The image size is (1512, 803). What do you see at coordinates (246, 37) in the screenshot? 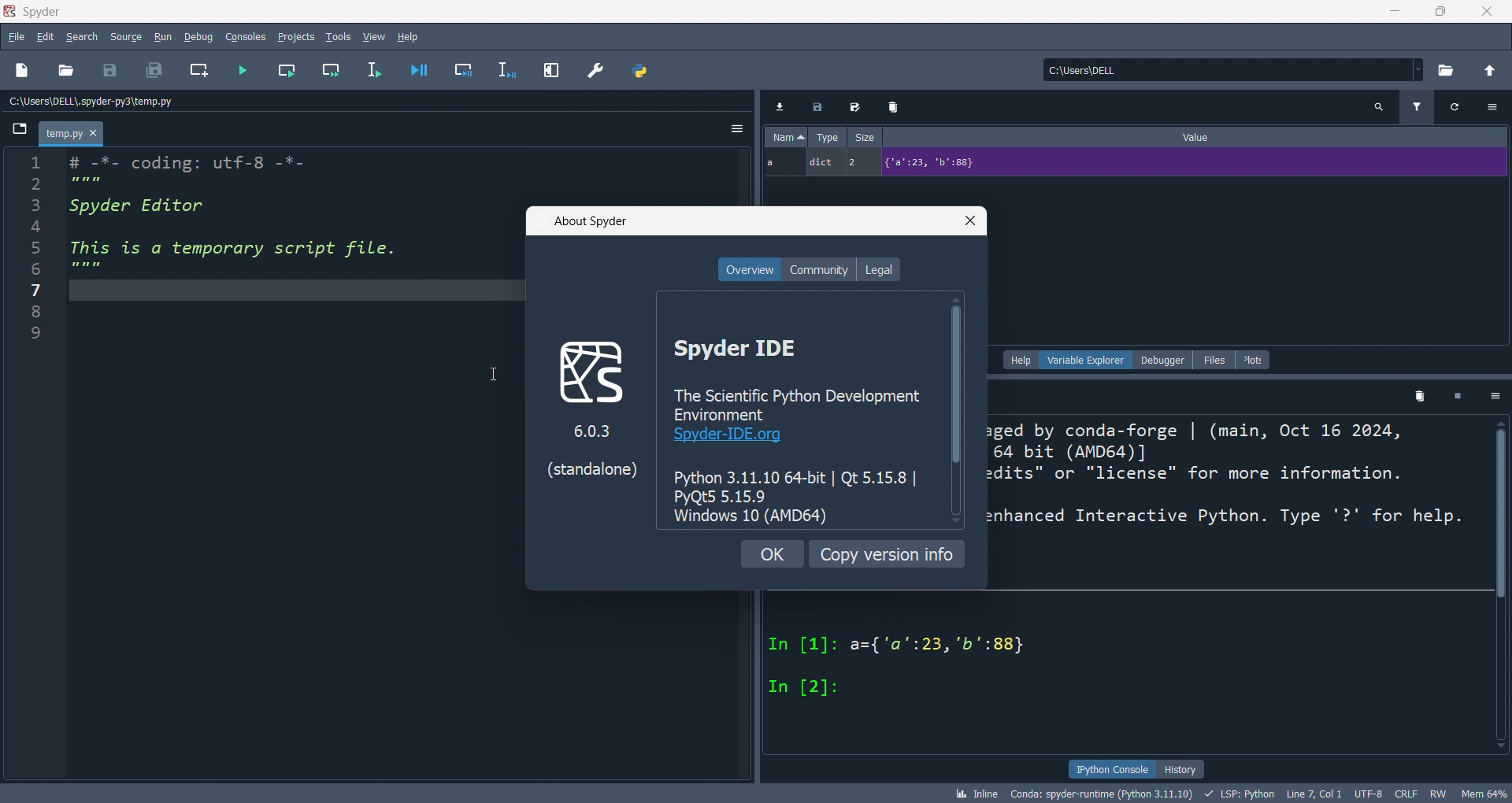
I see `consoles` at bounding box center [246, 37].